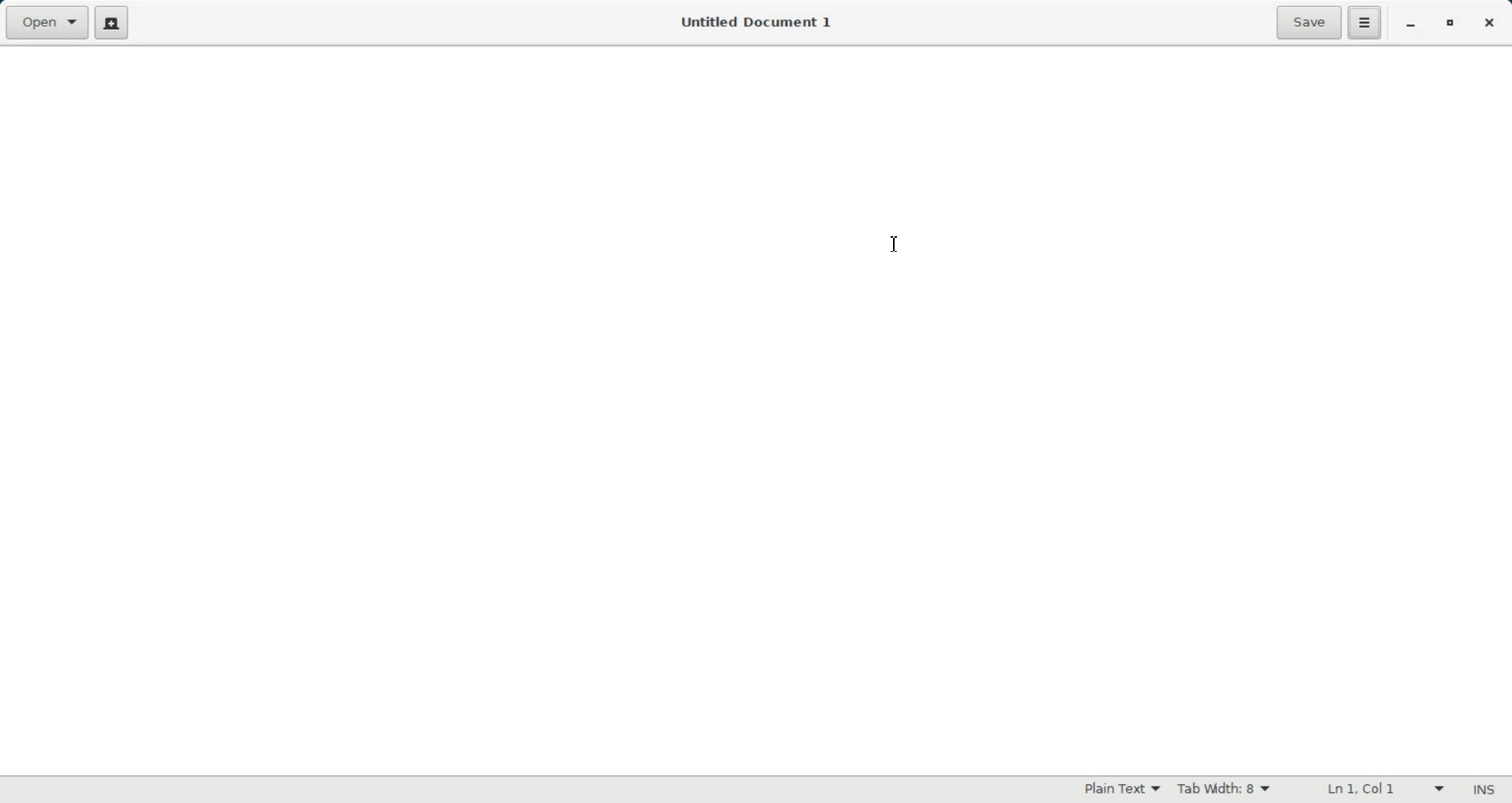 The image size is (1512, 803). Describe the element at coordinates (1485, 790) in the screenshot. I see `Insert` at that location.